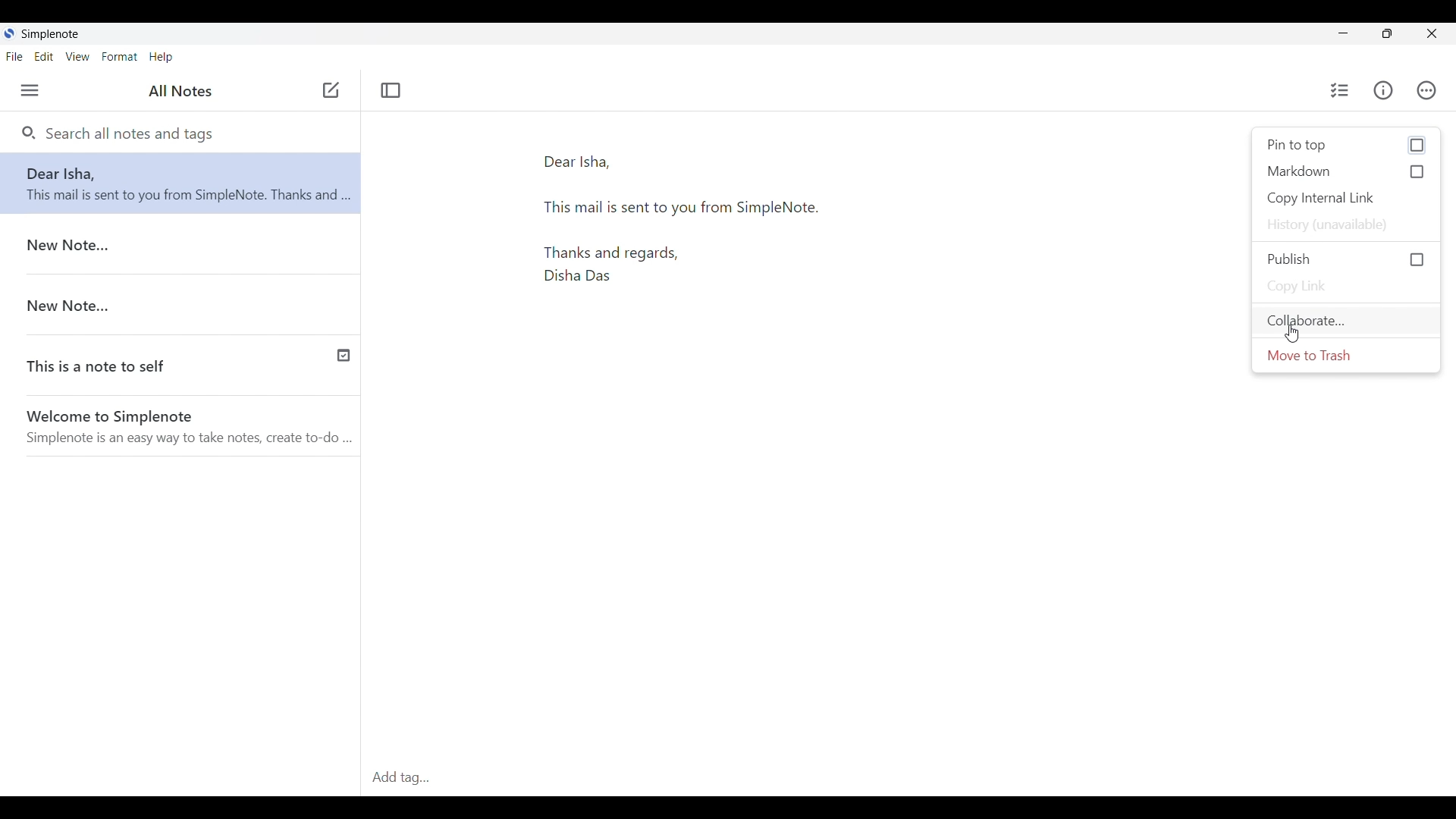 Image resolution: width=1456 pixels, height=819 pixels. Describe the element at coordinates (143, 357) in the screenshot. I see `This is note to self(Published note with check icon to indicate it)` at that location.